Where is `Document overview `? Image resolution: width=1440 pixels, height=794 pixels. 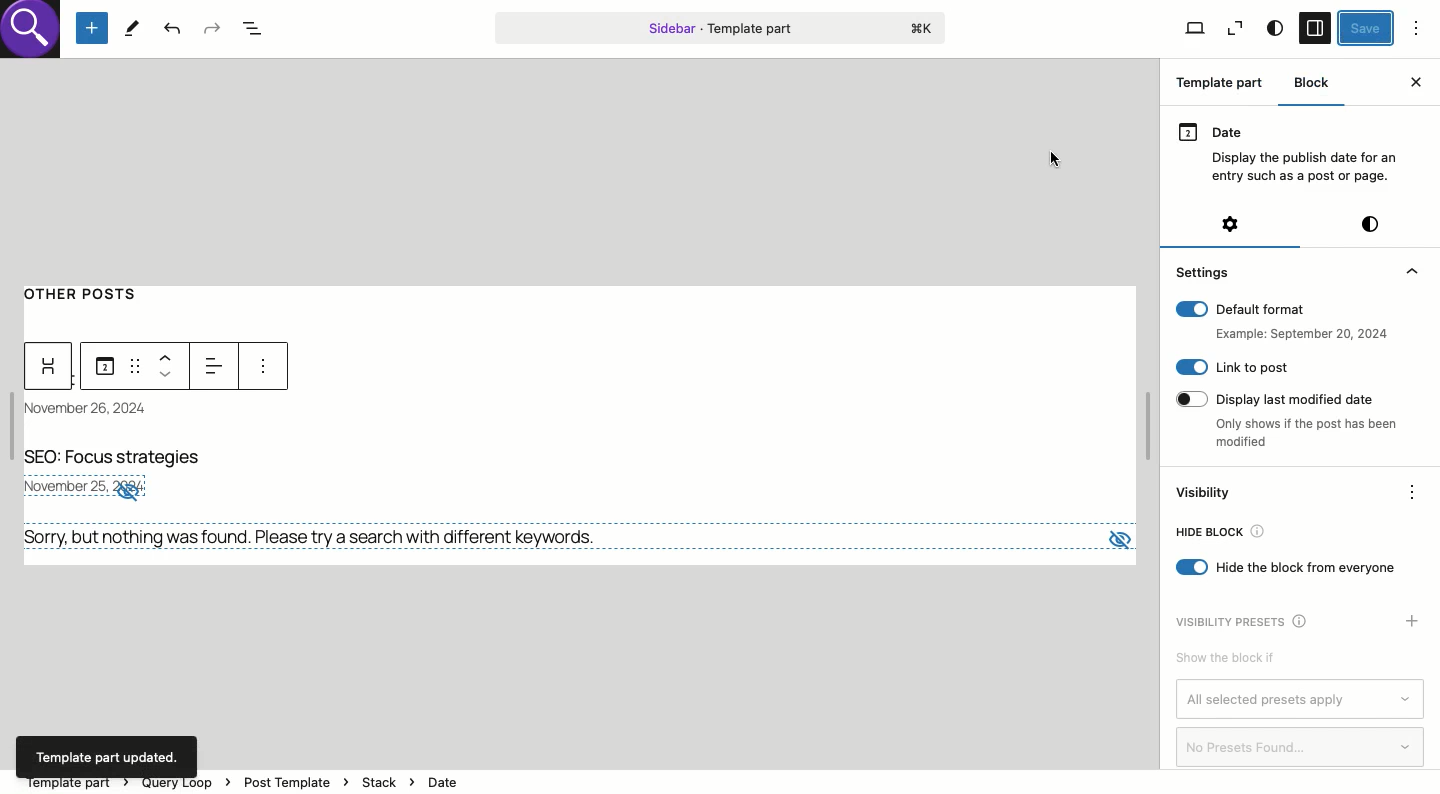
Document overview  is located at coordinates (259, 30).